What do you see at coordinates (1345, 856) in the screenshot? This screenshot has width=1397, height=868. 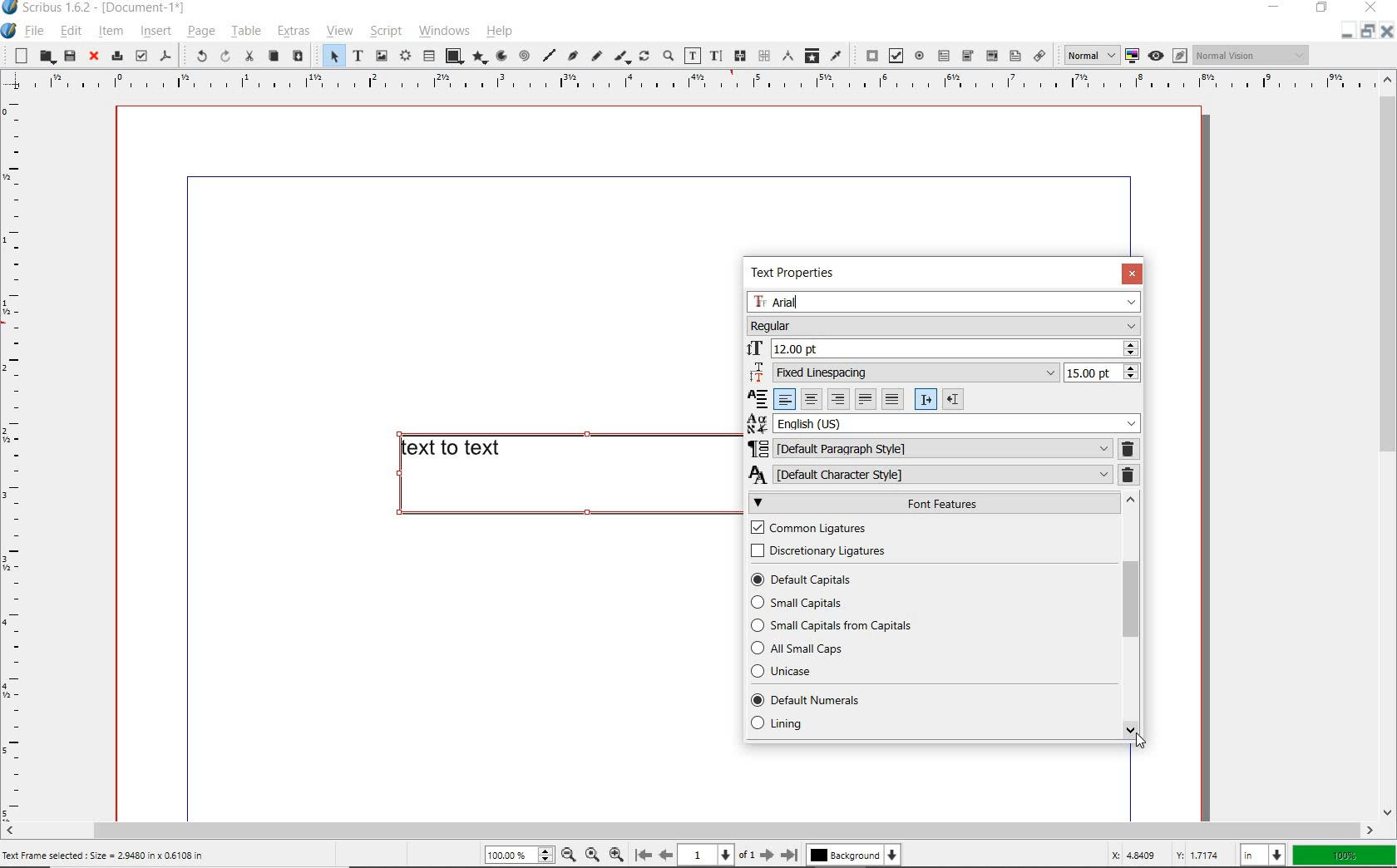 I see `100%` at bounding box center [1345, 856].